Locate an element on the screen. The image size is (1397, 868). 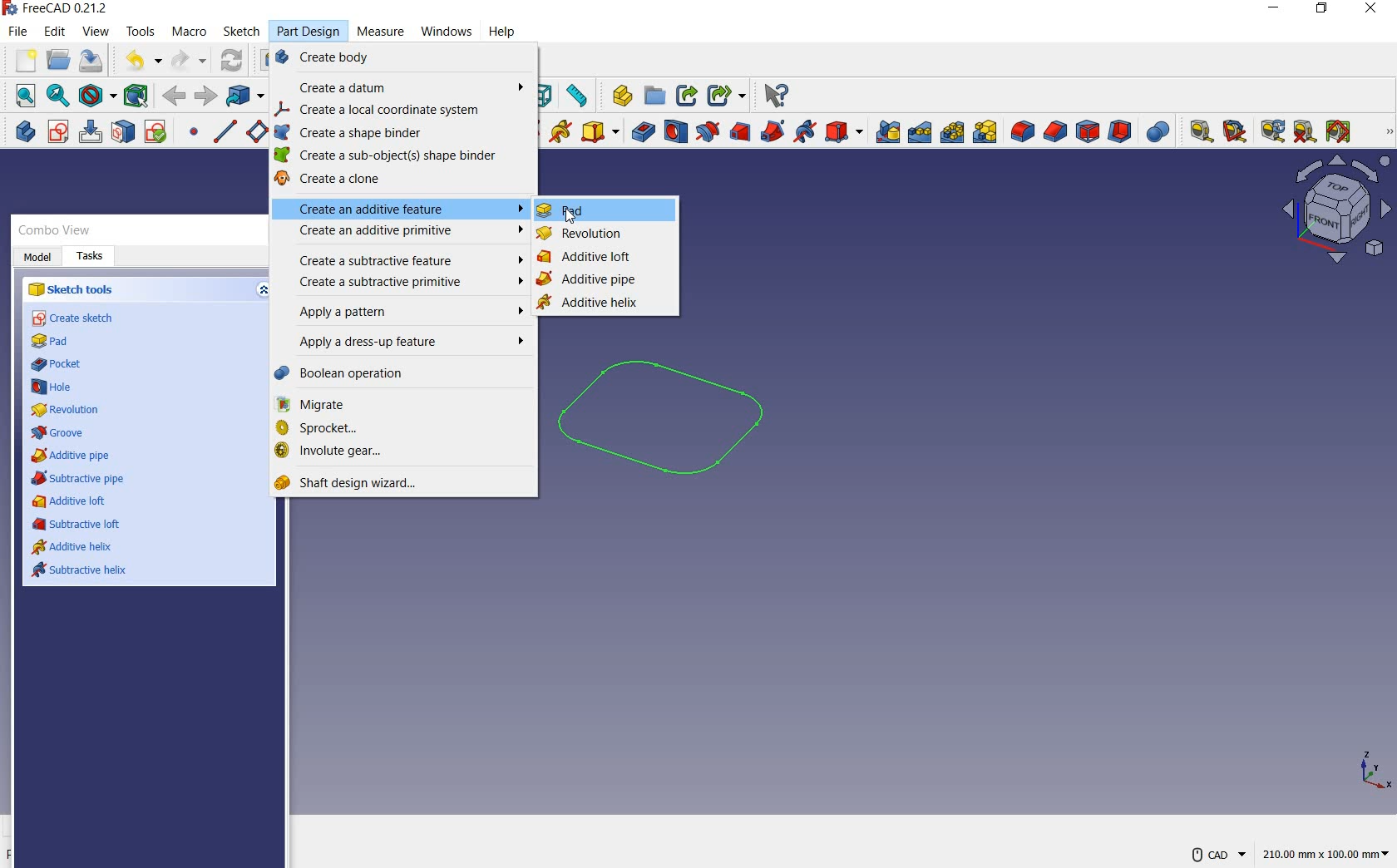
Help is located at coordinates (780, 92).